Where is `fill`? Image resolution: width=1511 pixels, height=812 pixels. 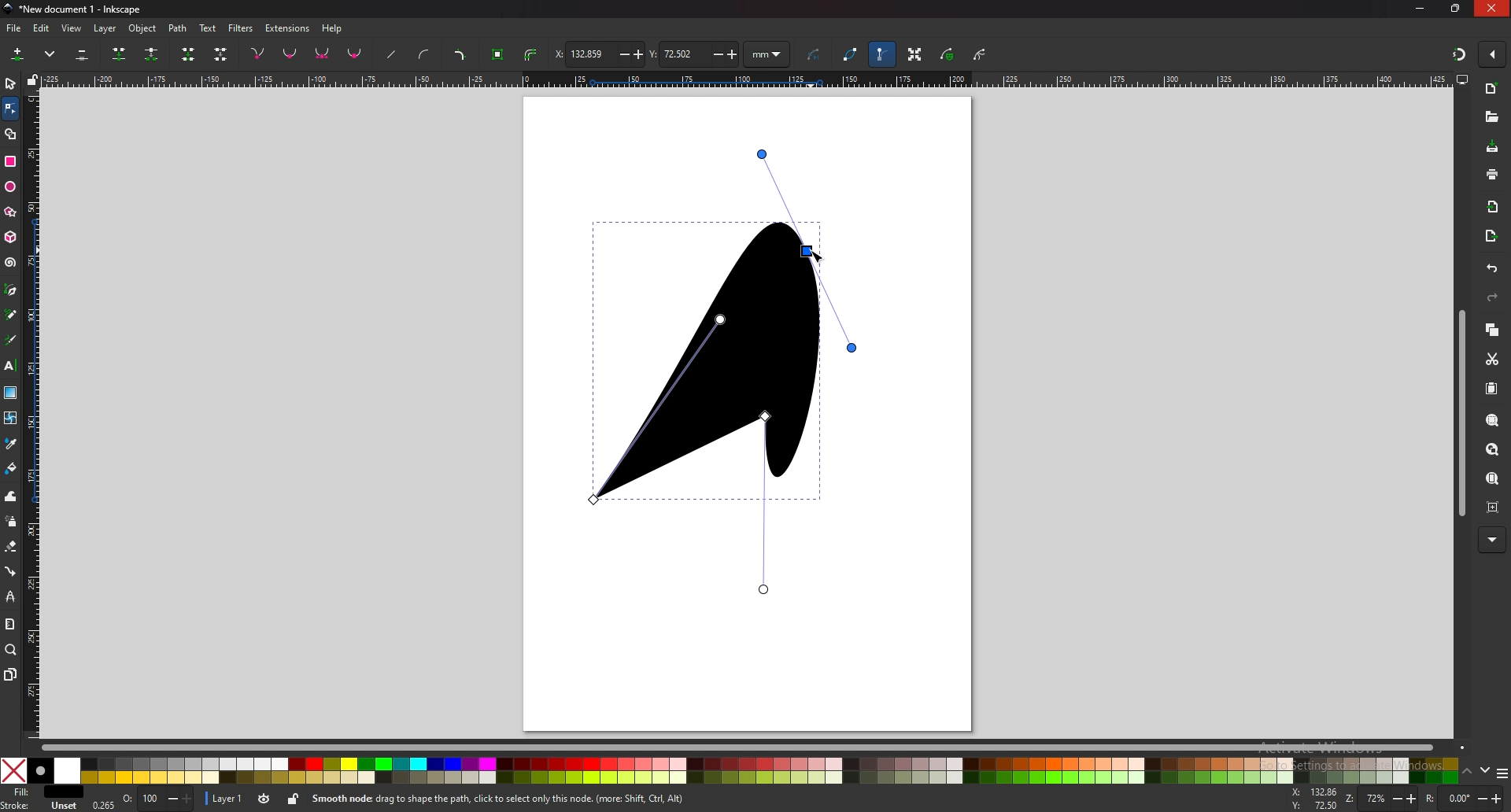
fill is located at coordinates (40, 792).